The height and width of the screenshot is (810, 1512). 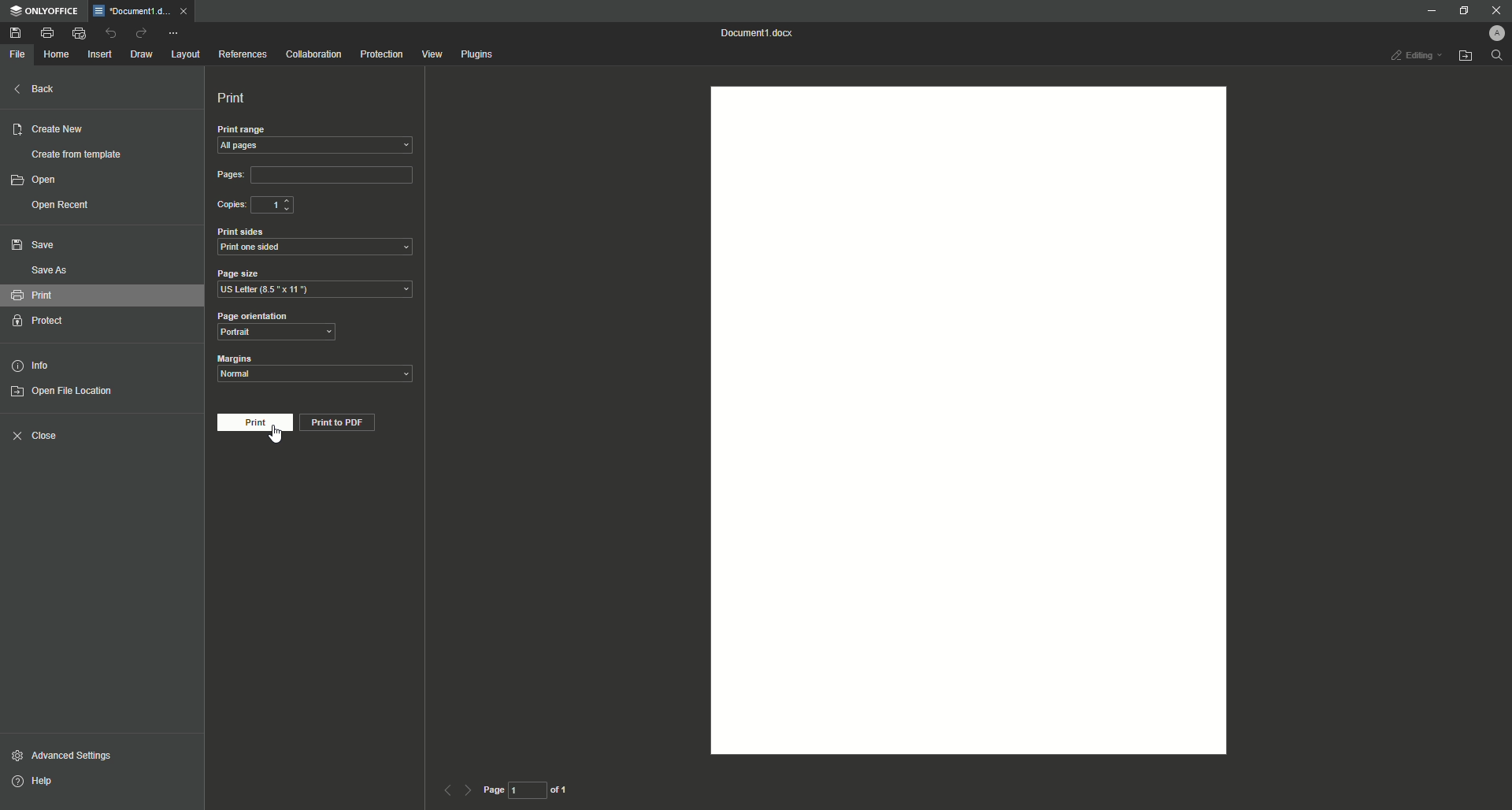 What do you see at coordinates (62, 204) in the screenshot?
I see `Open Recent` at bounding box center [62, 204].